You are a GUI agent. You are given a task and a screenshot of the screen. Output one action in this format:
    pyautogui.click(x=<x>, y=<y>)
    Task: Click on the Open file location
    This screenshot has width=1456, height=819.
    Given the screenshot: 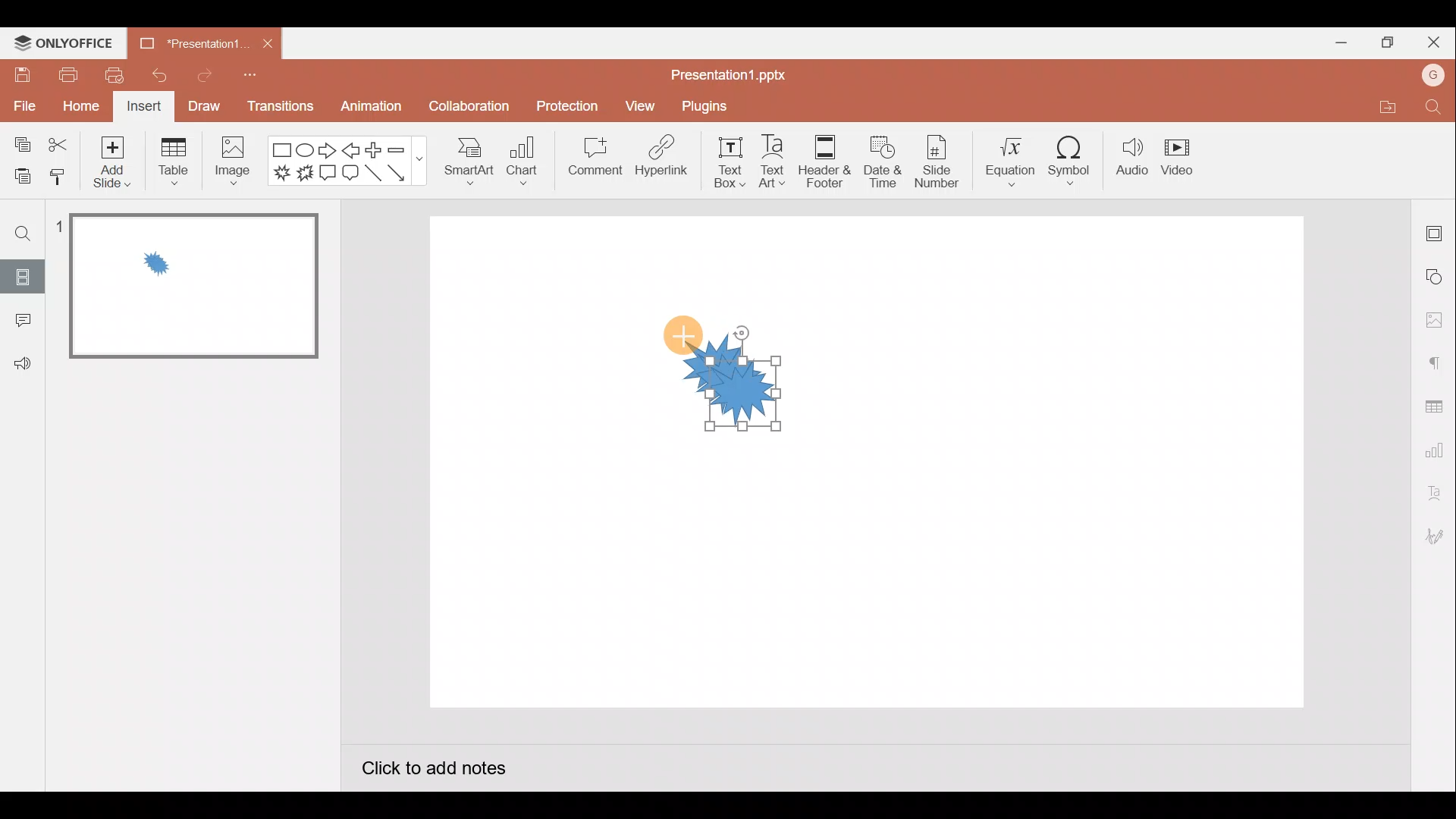 What is the action you would take?
    pyautogui.click(x=1379, y=107)
    